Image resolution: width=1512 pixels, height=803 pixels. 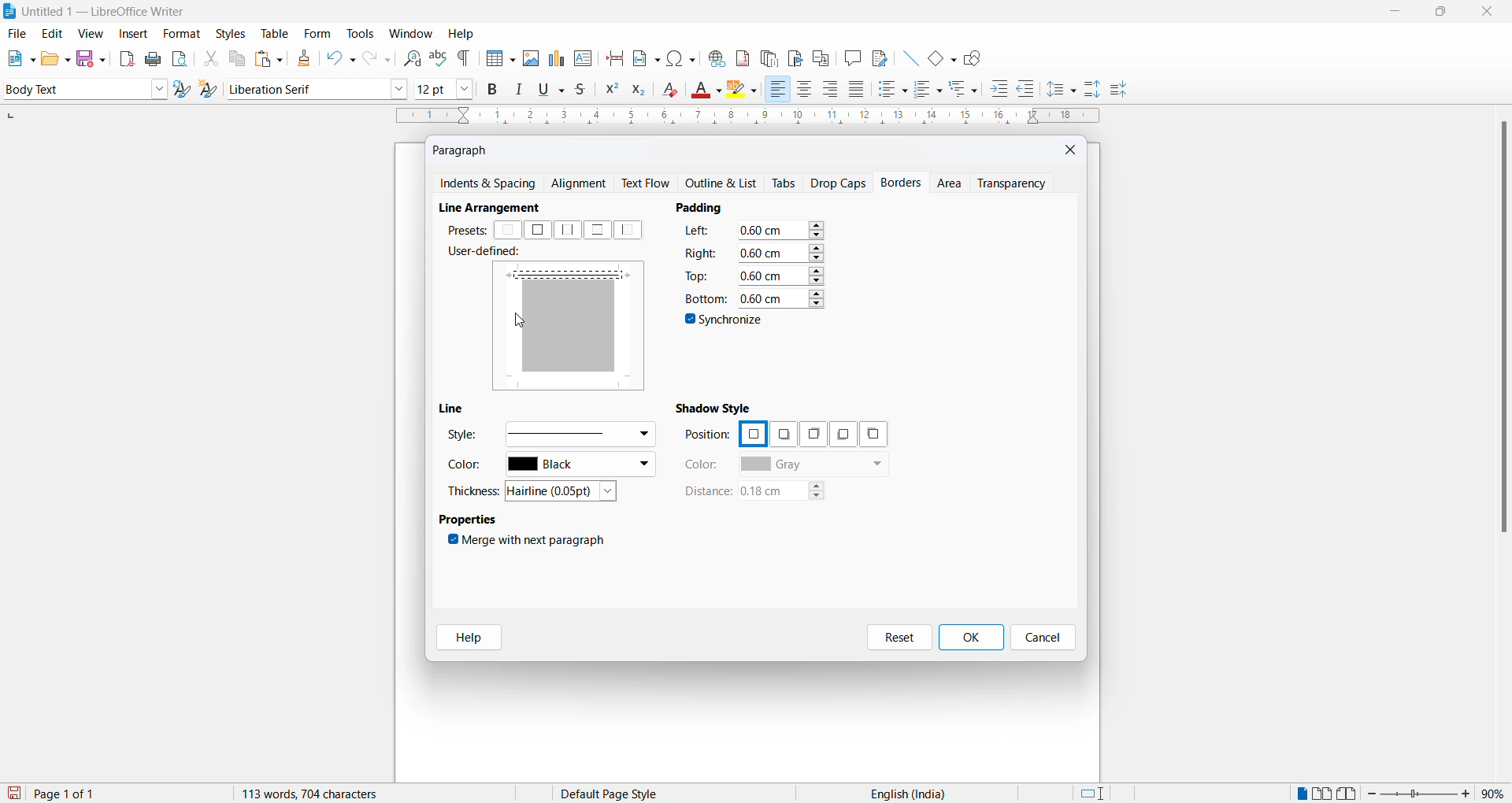 I want to click on font name options, so click(x=399, y=88).